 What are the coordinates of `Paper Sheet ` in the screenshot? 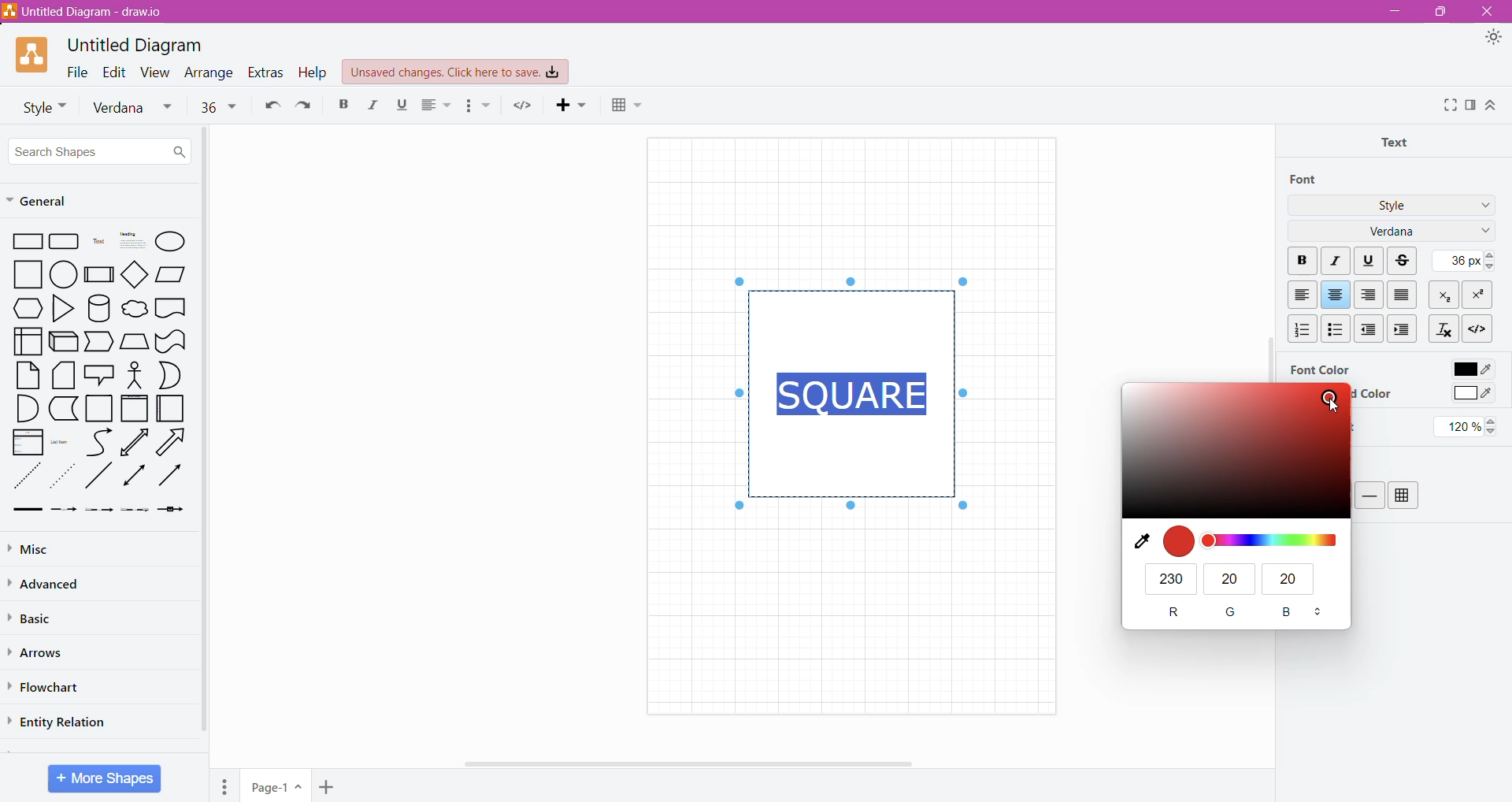 It's located at (28, 375).